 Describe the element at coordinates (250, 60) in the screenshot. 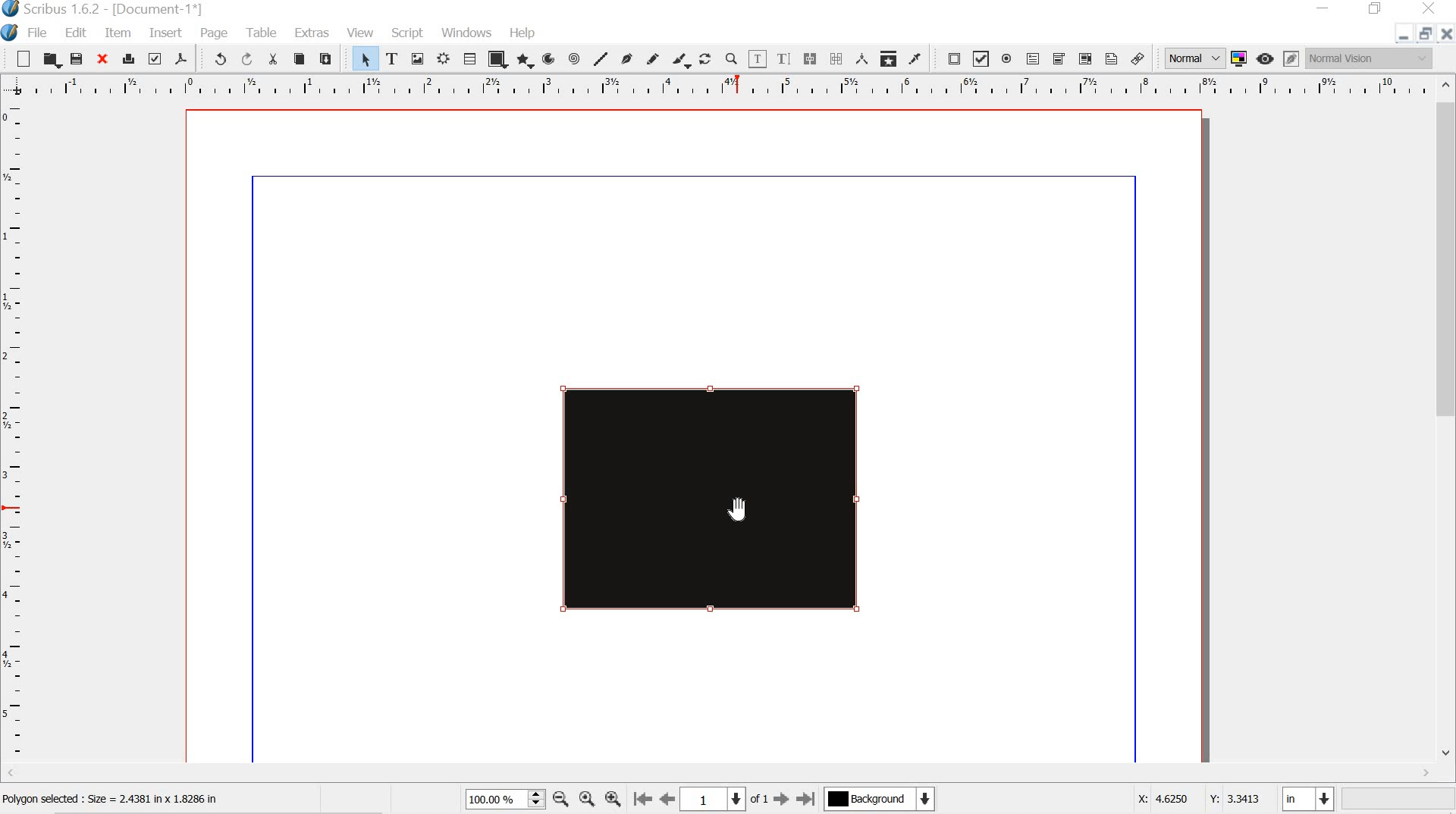

I see `redo` at that location.